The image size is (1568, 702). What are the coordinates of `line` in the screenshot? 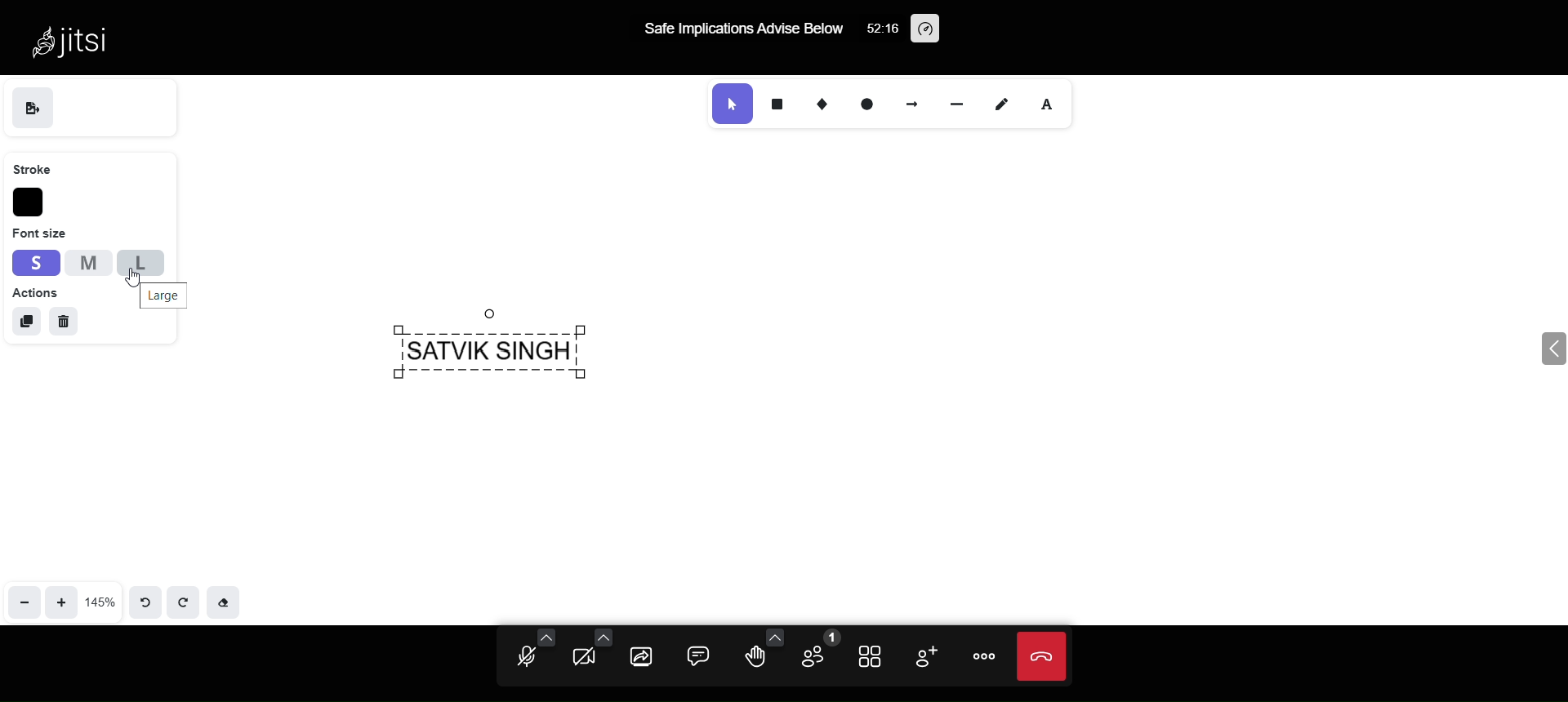 It's located at (951, 102).